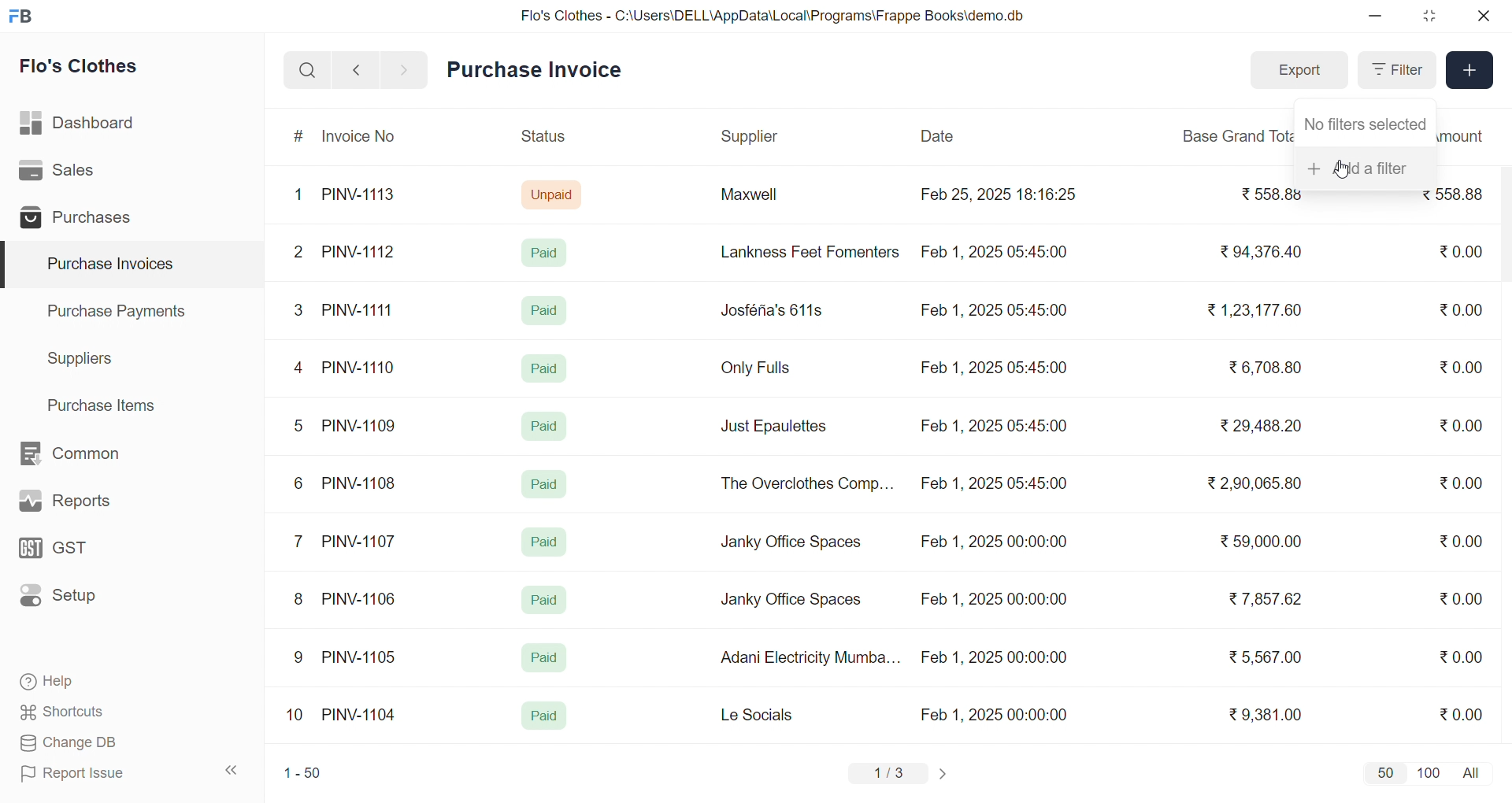 The width and height of the screenshot is (1512, 803). I want to click on Export, so click(1299, 71).